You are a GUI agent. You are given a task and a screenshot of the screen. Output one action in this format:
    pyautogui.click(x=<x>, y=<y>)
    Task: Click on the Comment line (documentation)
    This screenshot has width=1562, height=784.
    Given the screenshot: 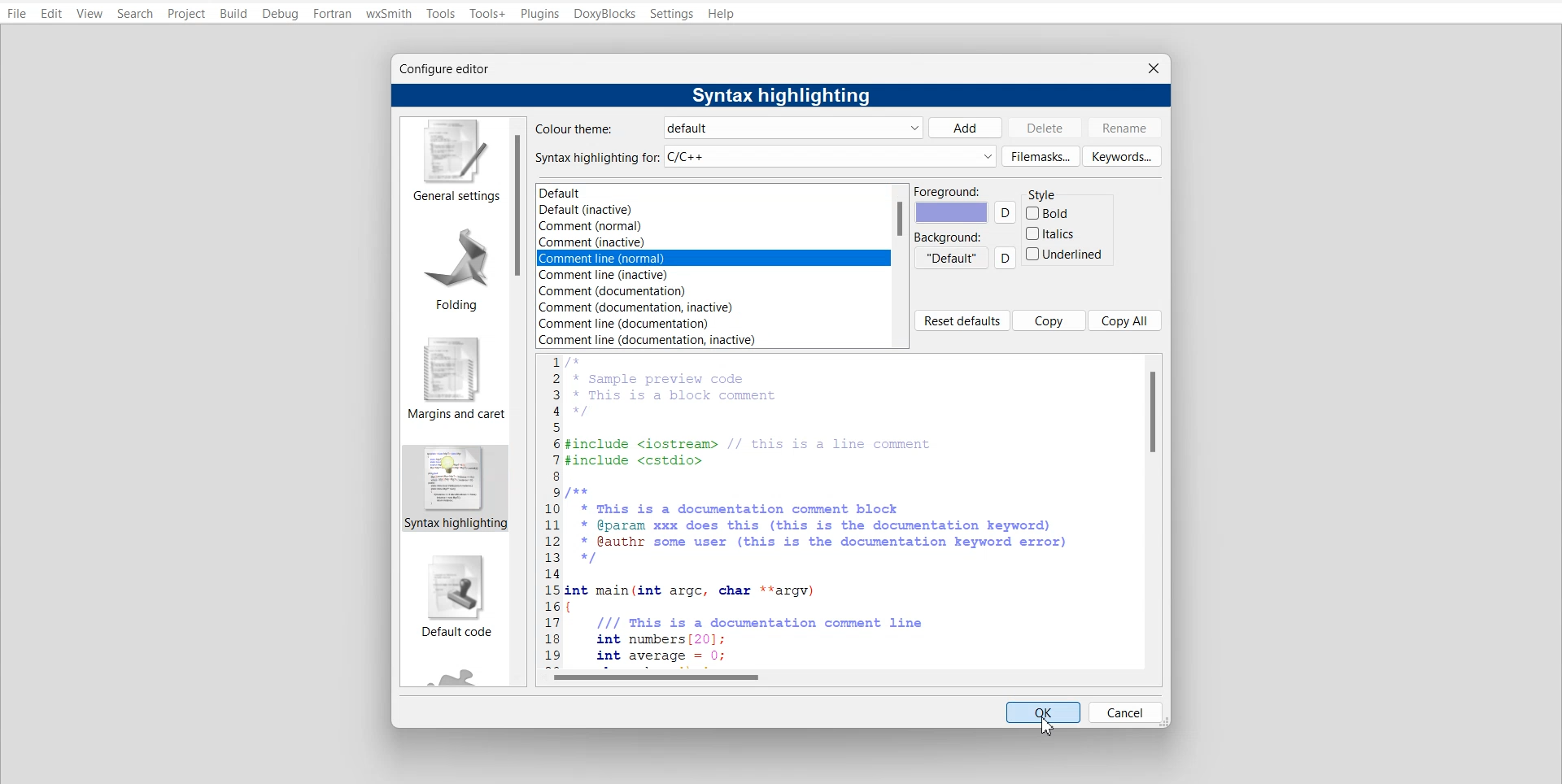 What is the action you would take?
    pyautogui.click(x=632, y=324)
    